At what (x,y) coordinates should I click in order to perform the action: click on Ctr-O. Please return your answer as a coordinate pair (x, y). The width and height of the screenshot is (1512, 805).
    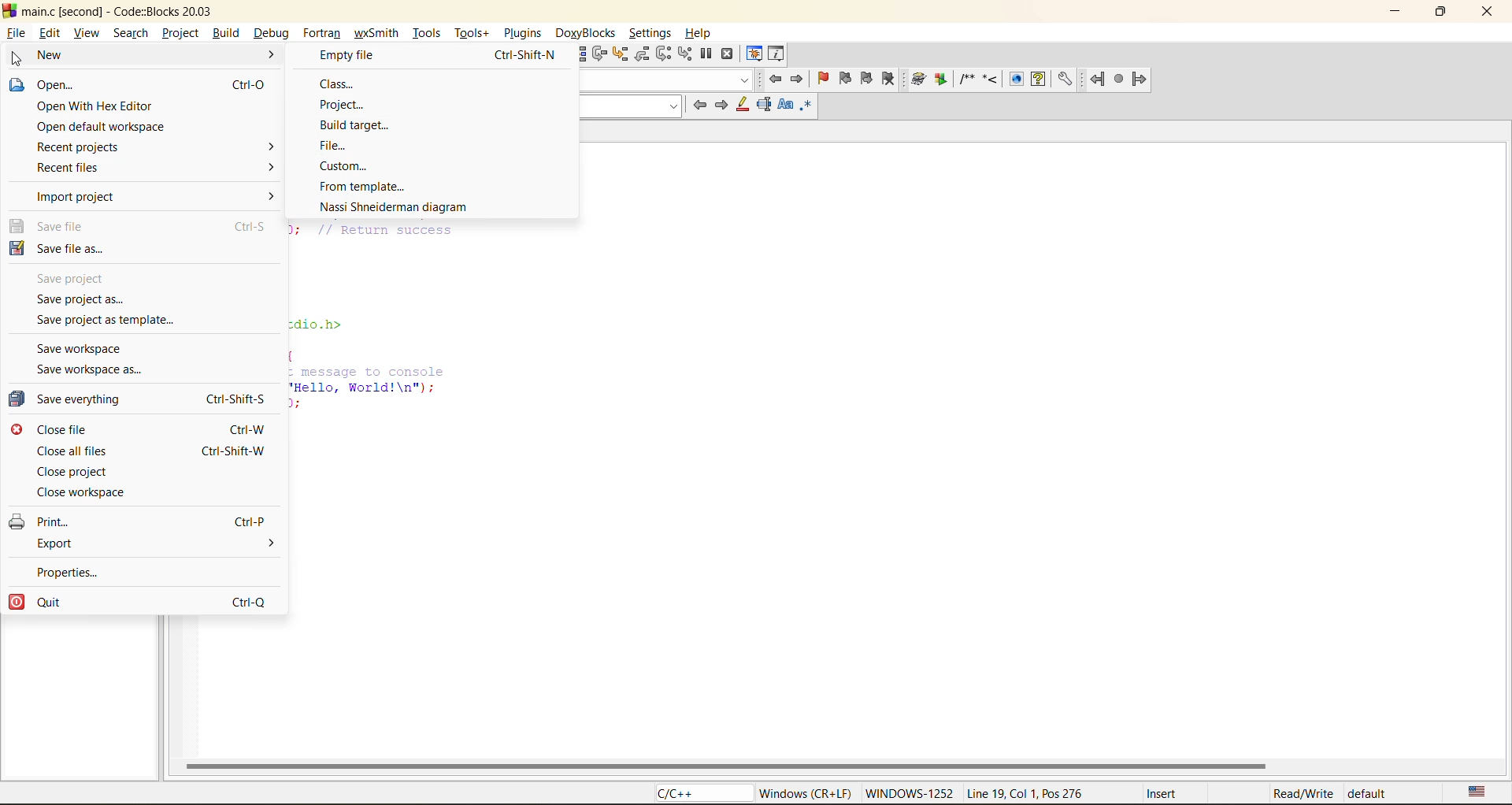
    Looking at the image, I should click on (243, 83).